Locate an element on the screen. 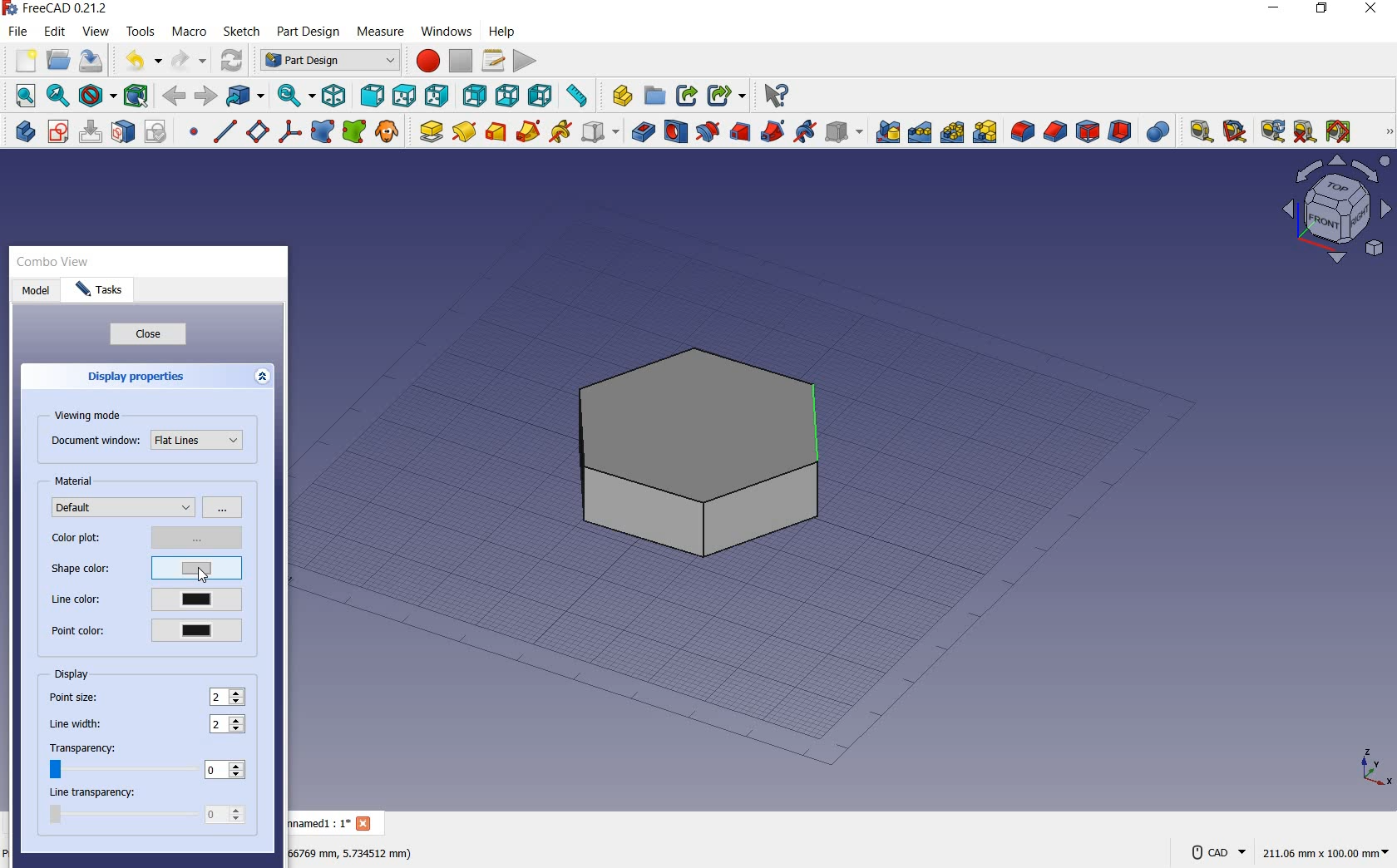 This screenshot has width=1397, height=868. fillet is located at coordinates (1021, 132).